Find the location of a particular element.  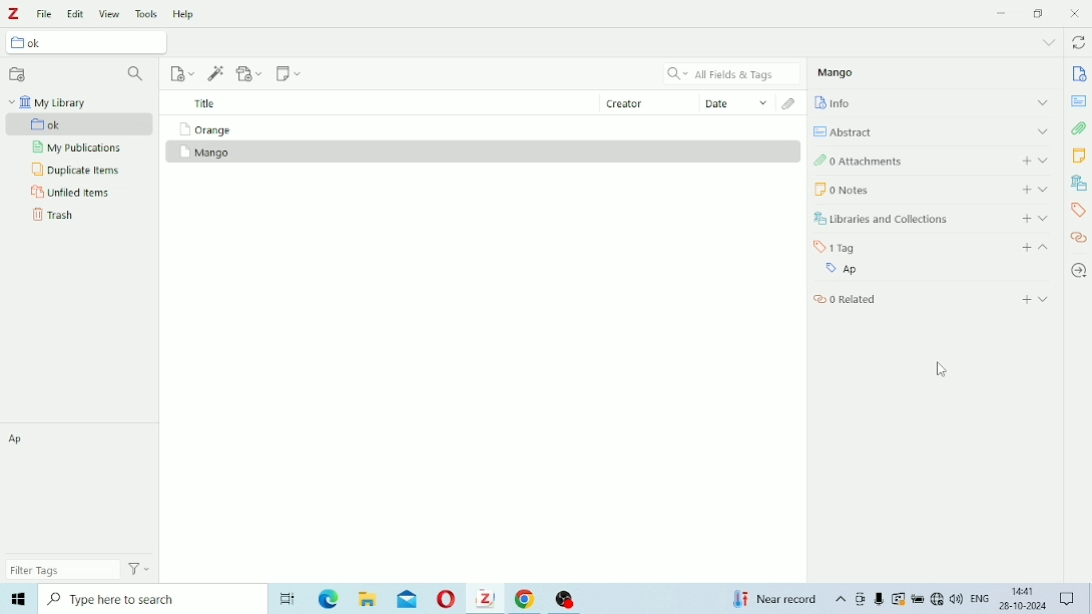

Add Attachment is located at coordinates (250, 74).